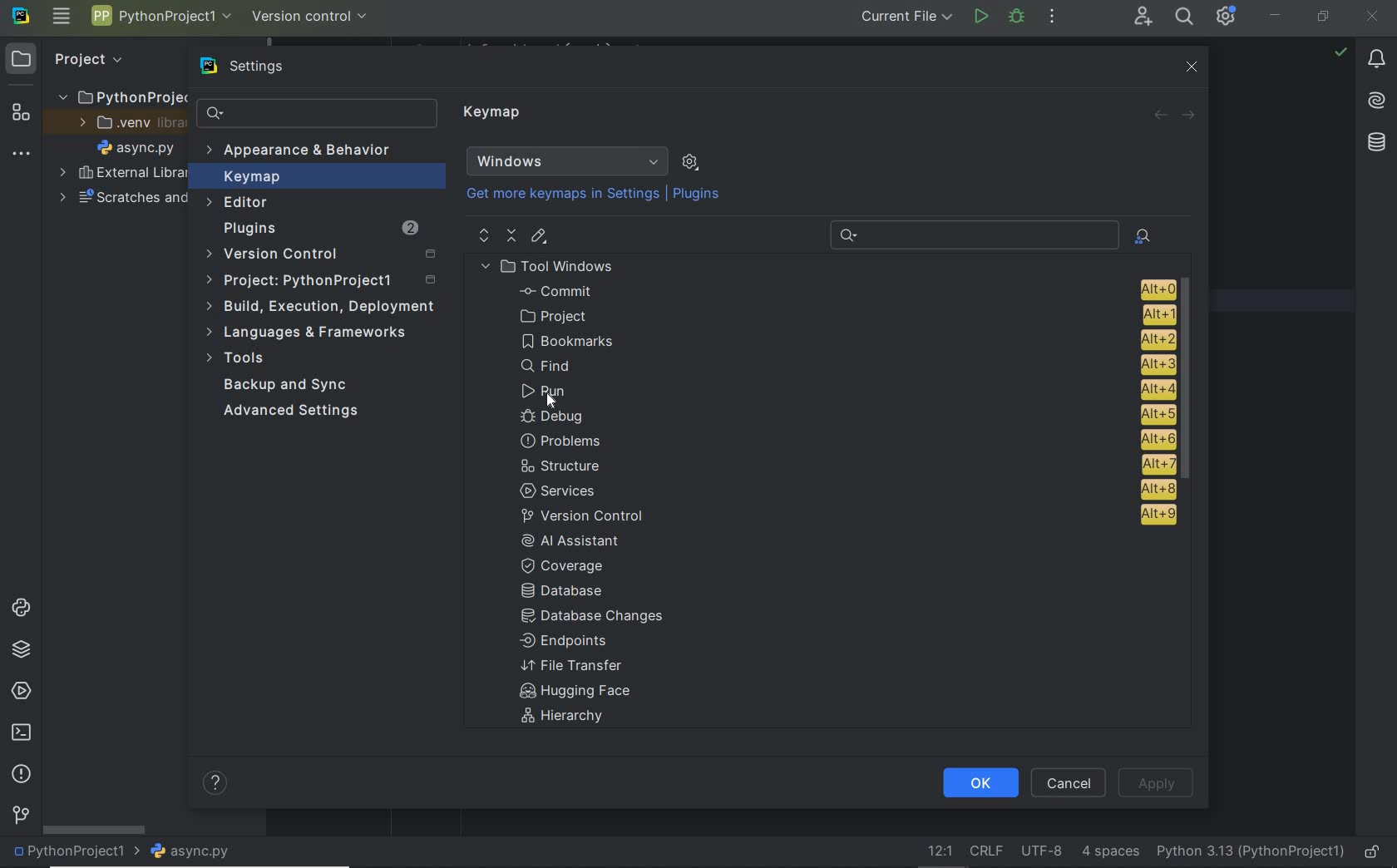 Image resolution: width=1397 pixels, height=868 pixels. Describe the element at coordinates (19, 608) in the screenshot. I see `python consoles` at that location.